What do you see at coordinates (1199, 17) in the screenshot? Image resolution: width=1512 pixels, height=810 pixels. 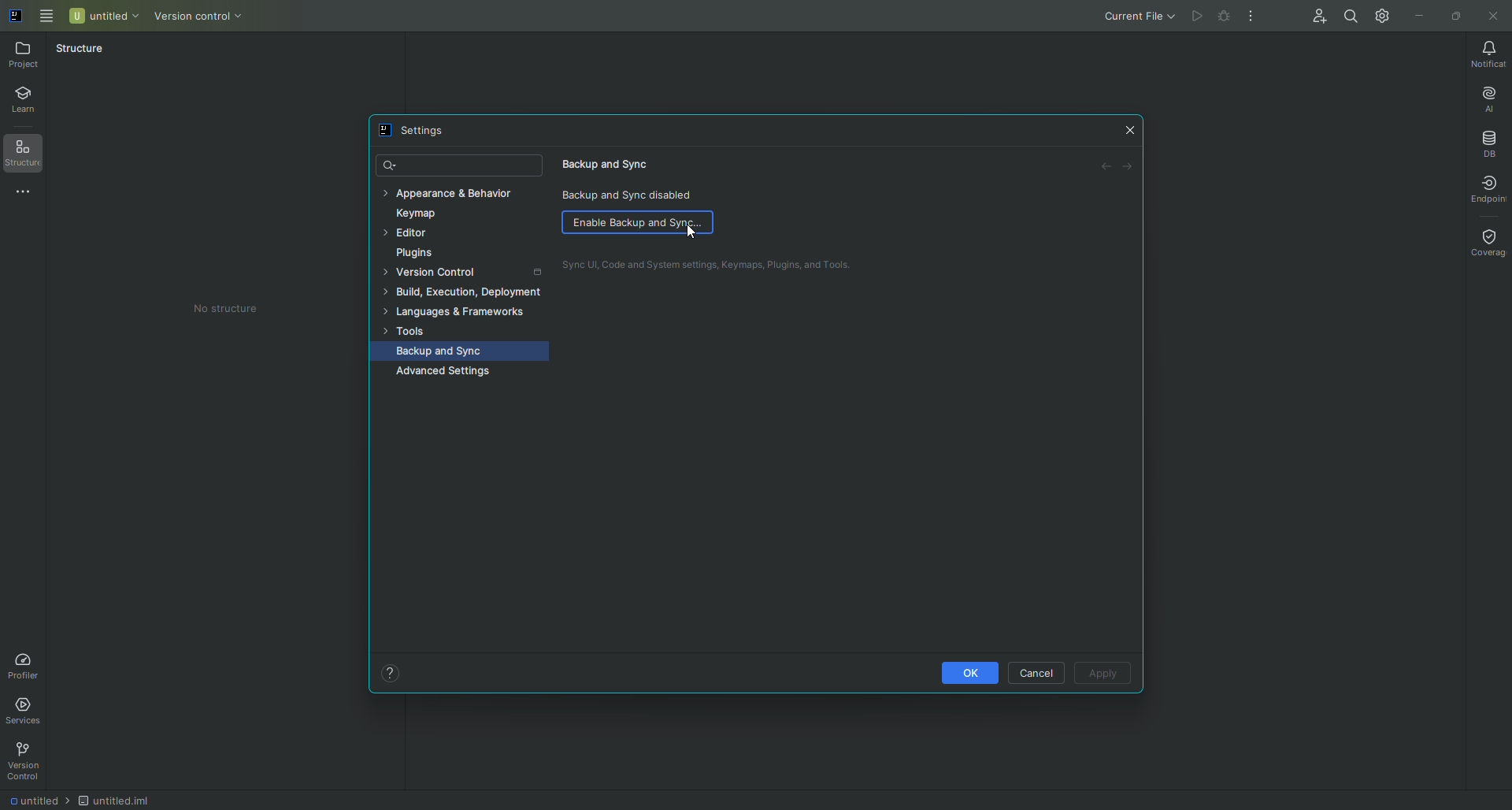 I see `Cannot run current file` at bounding box center [1199, 17].